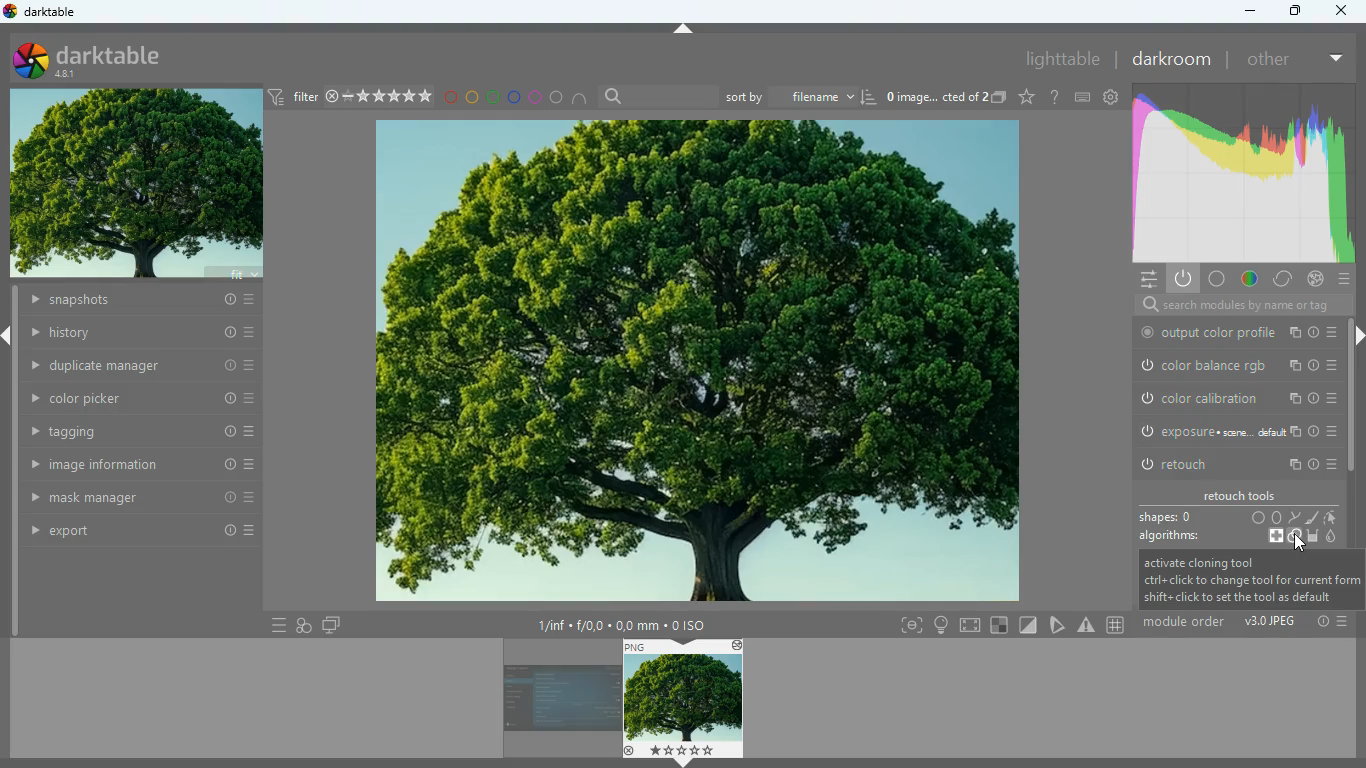 This screenshot has height=768, width=1366. What do you see at coordinates (1331, 538) in the screenshot?
I see `blur` at bounding box center [1331, 538].